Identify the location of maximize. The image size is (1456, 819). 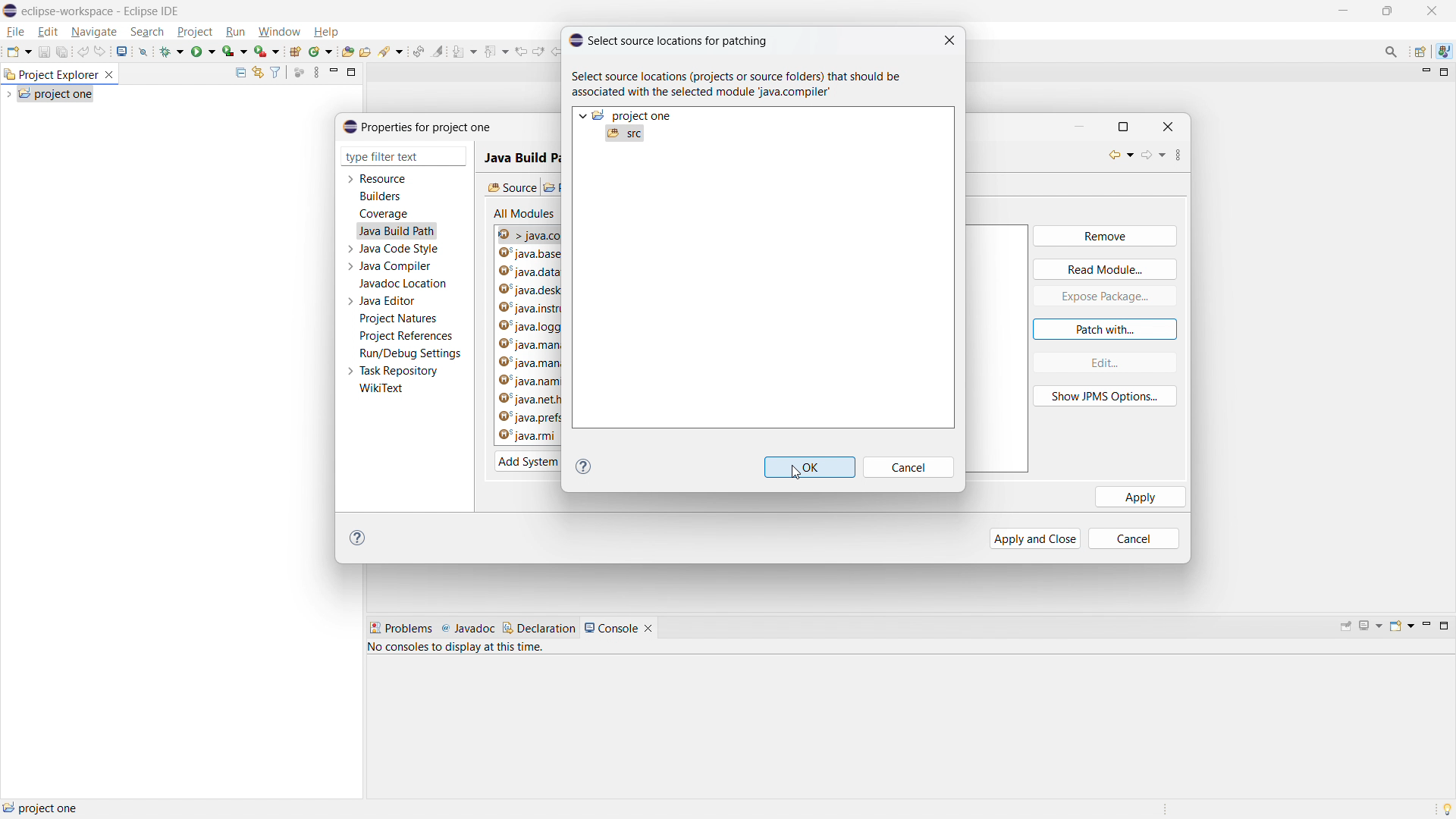
(1130, 126).